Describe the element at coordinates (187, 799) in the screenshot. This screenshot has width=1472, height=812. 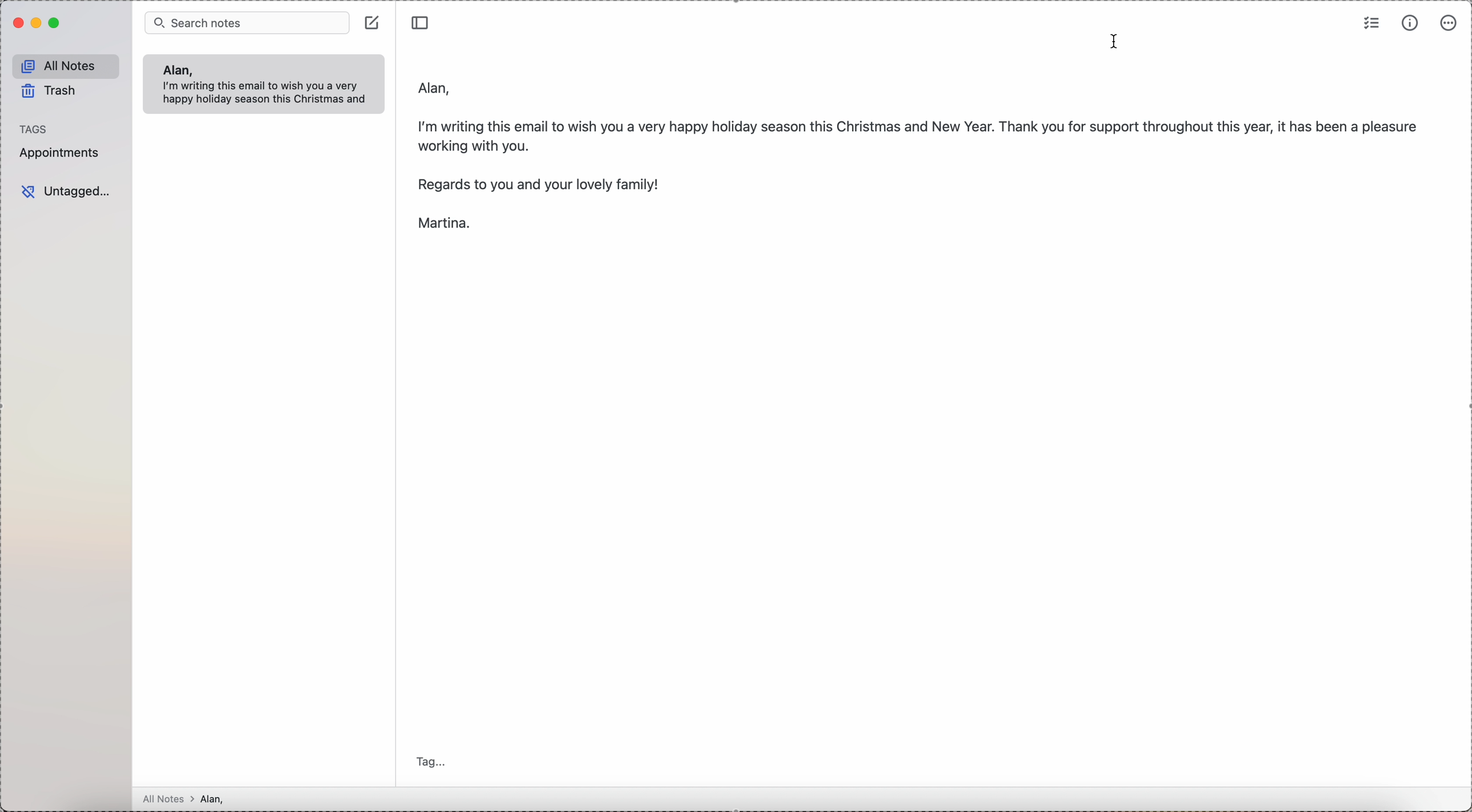
I see `all notes > Alan,` at that location.